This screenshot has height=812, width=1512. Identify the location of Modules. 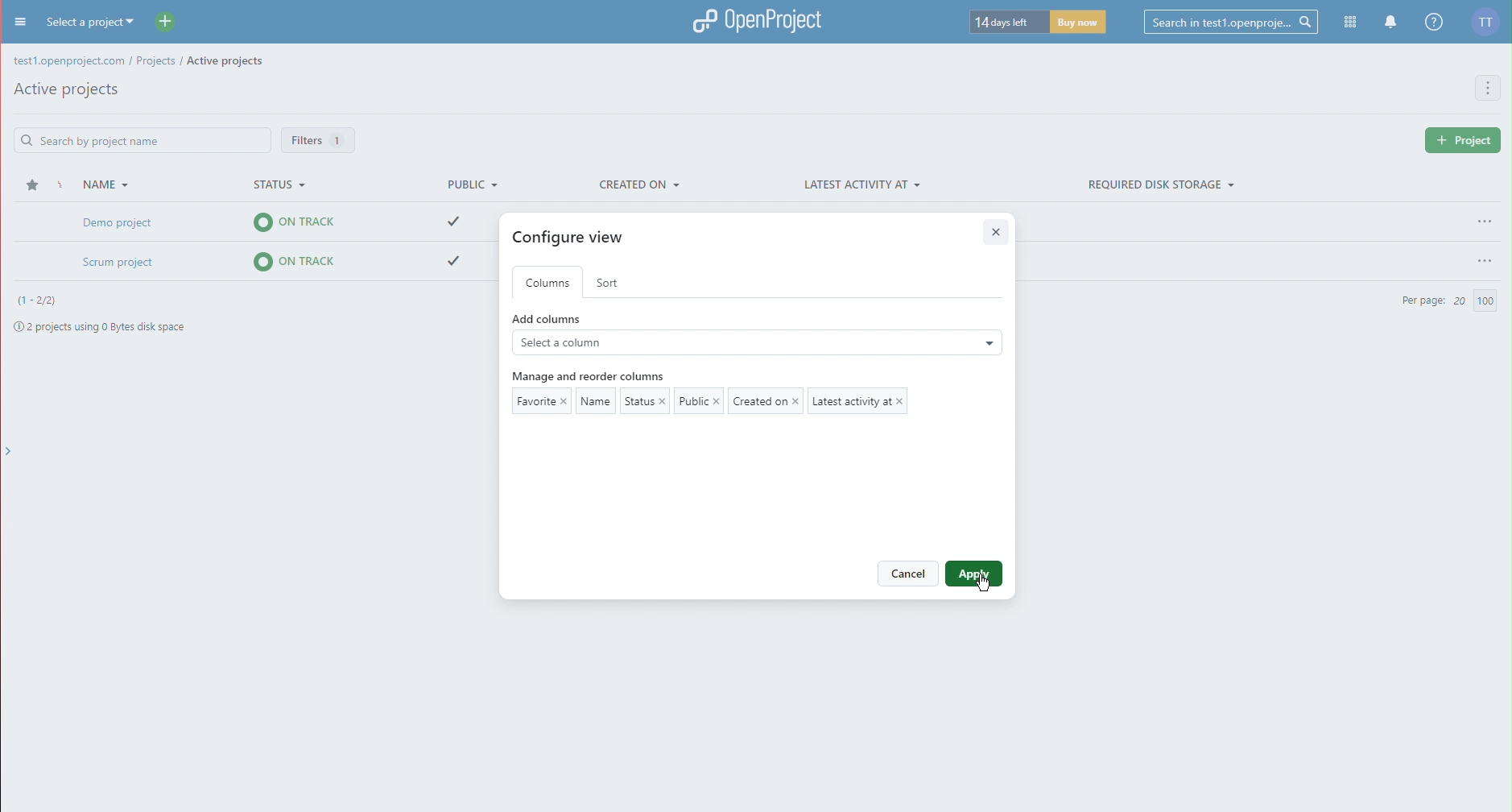
(1349, 21).